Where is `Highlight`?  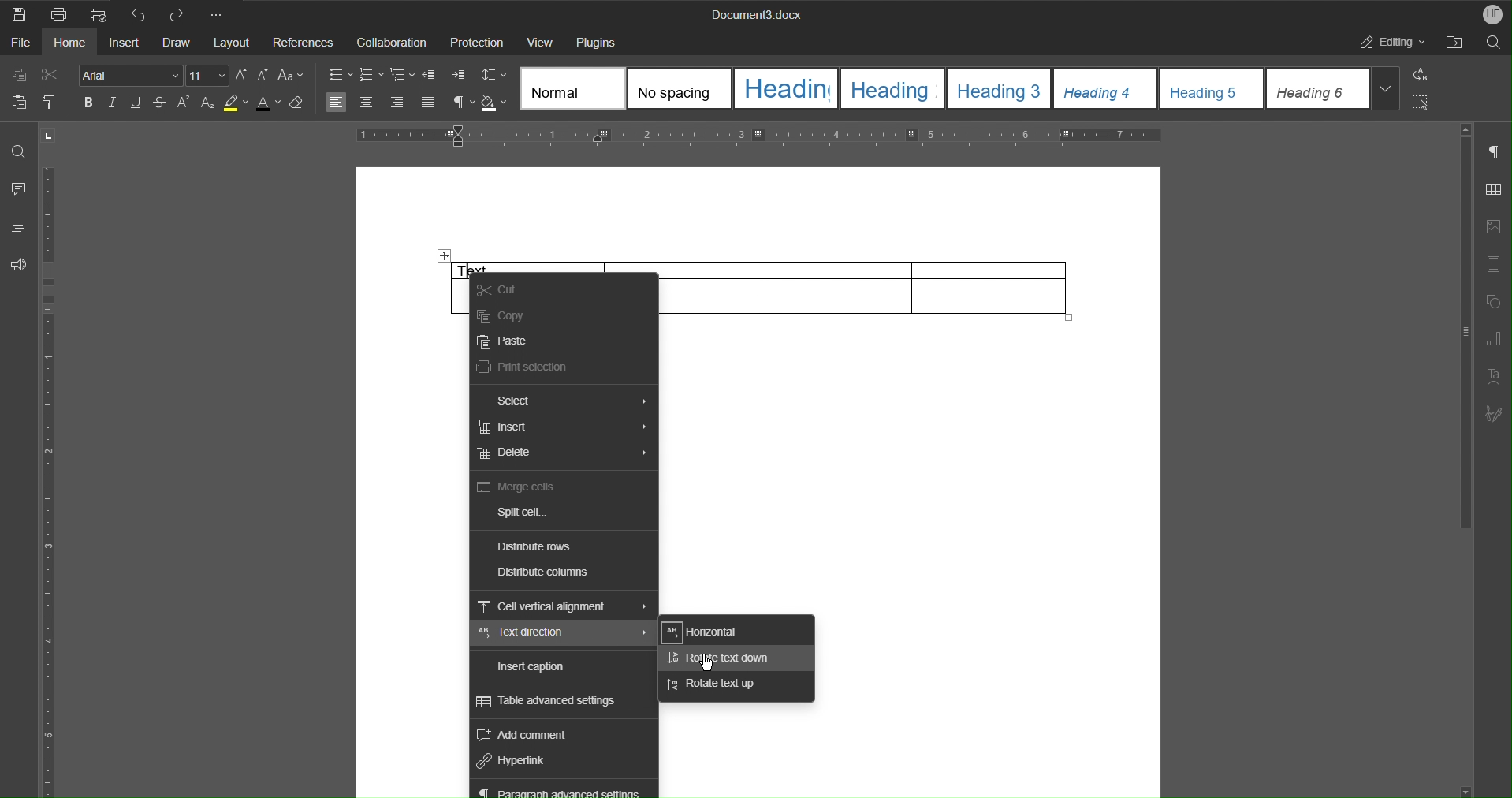 Highlight is located at coordinates (236, 102).